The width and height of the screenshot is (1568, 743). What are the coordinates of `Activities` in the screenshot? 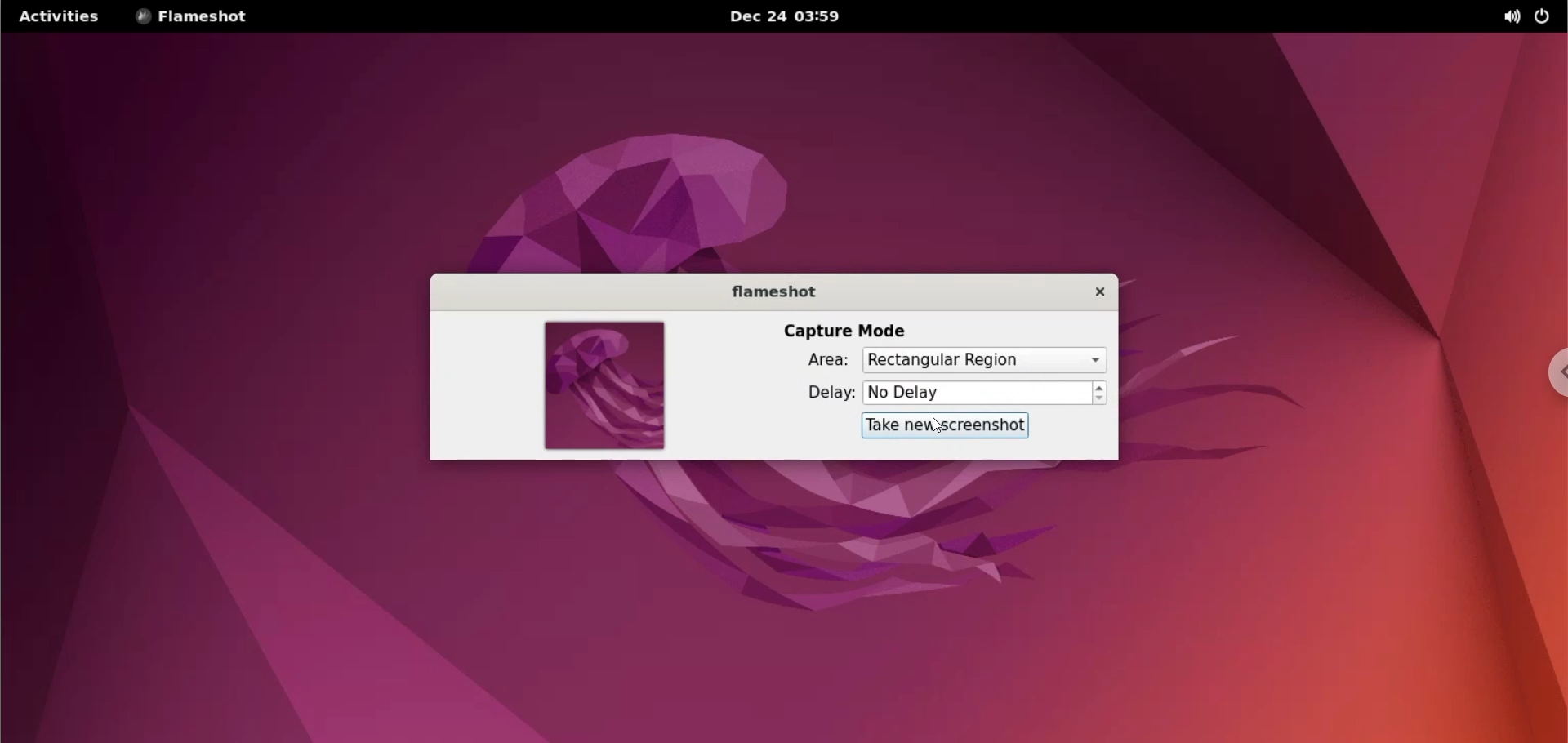 It's located at (57, 17).